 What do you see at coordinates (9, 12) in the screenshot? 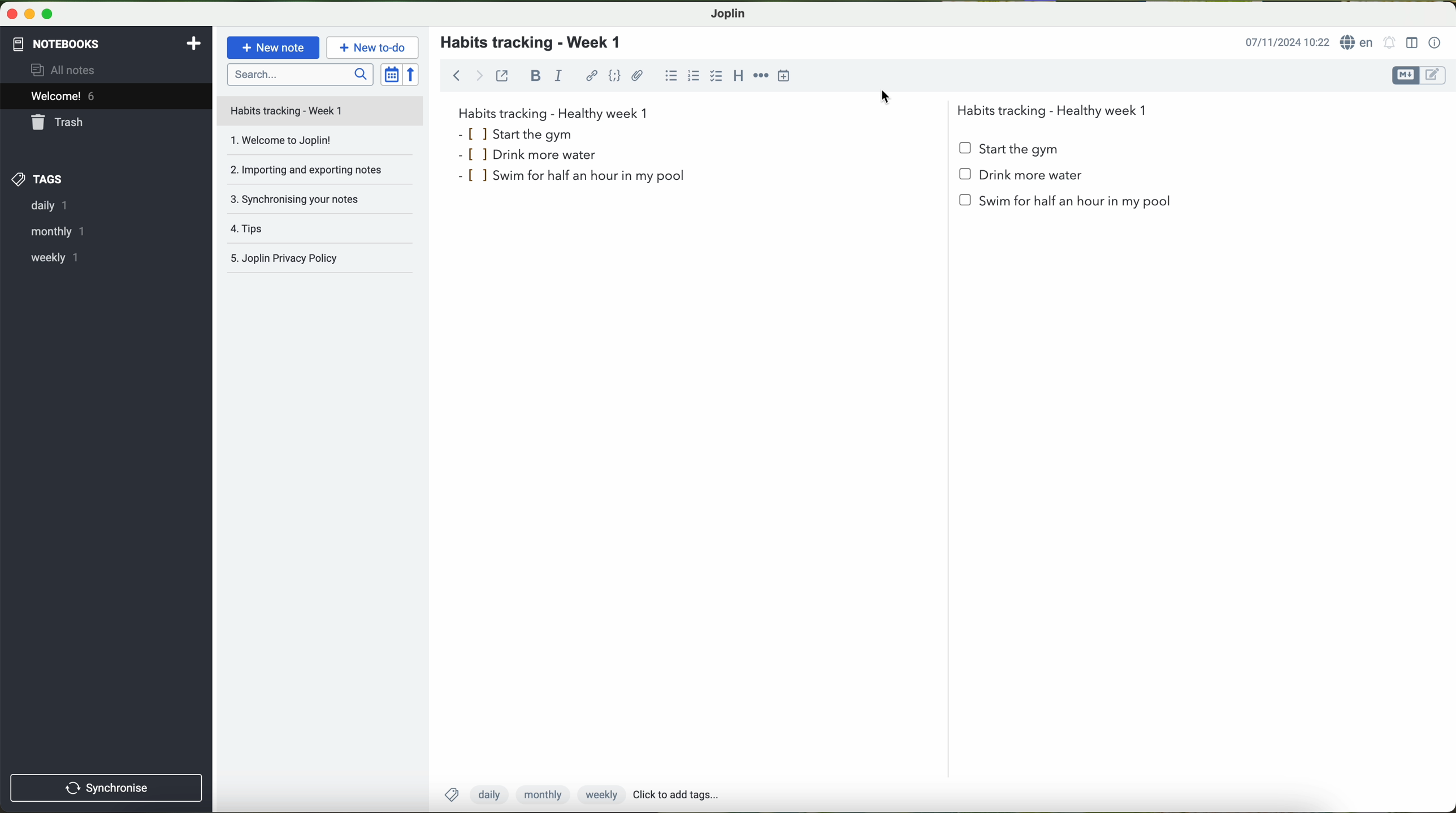
I see `close` at bounding box center [9, 12].